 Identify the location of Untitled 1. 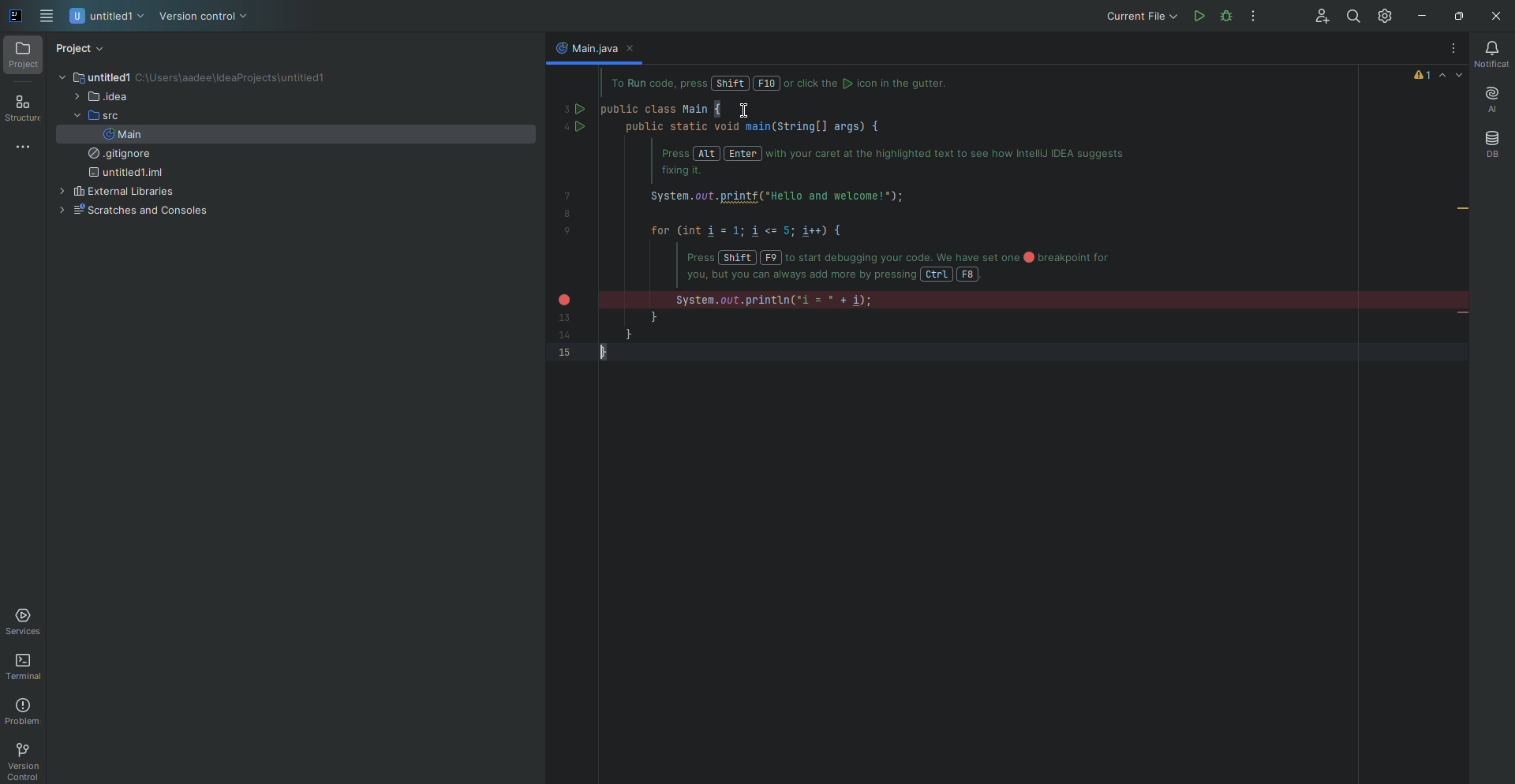
(108, 17).